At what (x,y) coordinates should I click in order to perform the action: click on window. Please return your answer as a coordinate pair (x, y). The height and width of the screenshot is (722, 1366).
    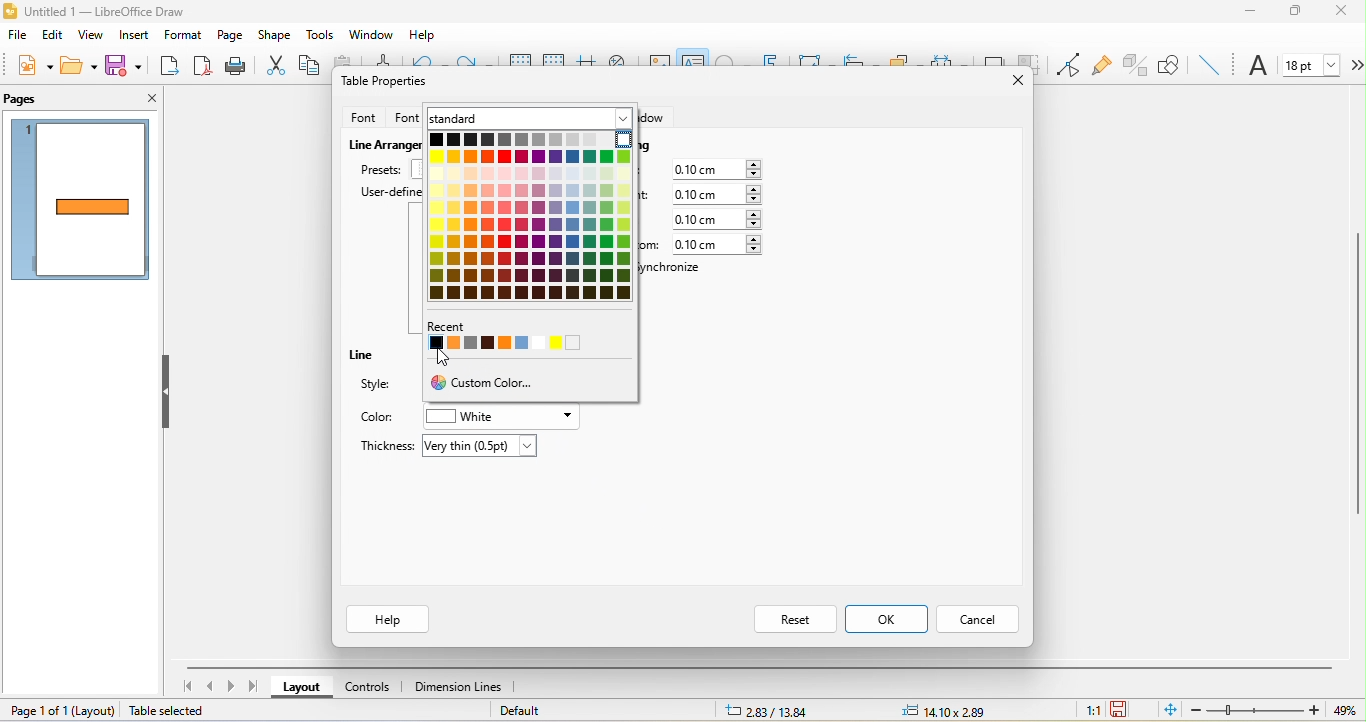
    Looking at the image, I should click on (368, 33).